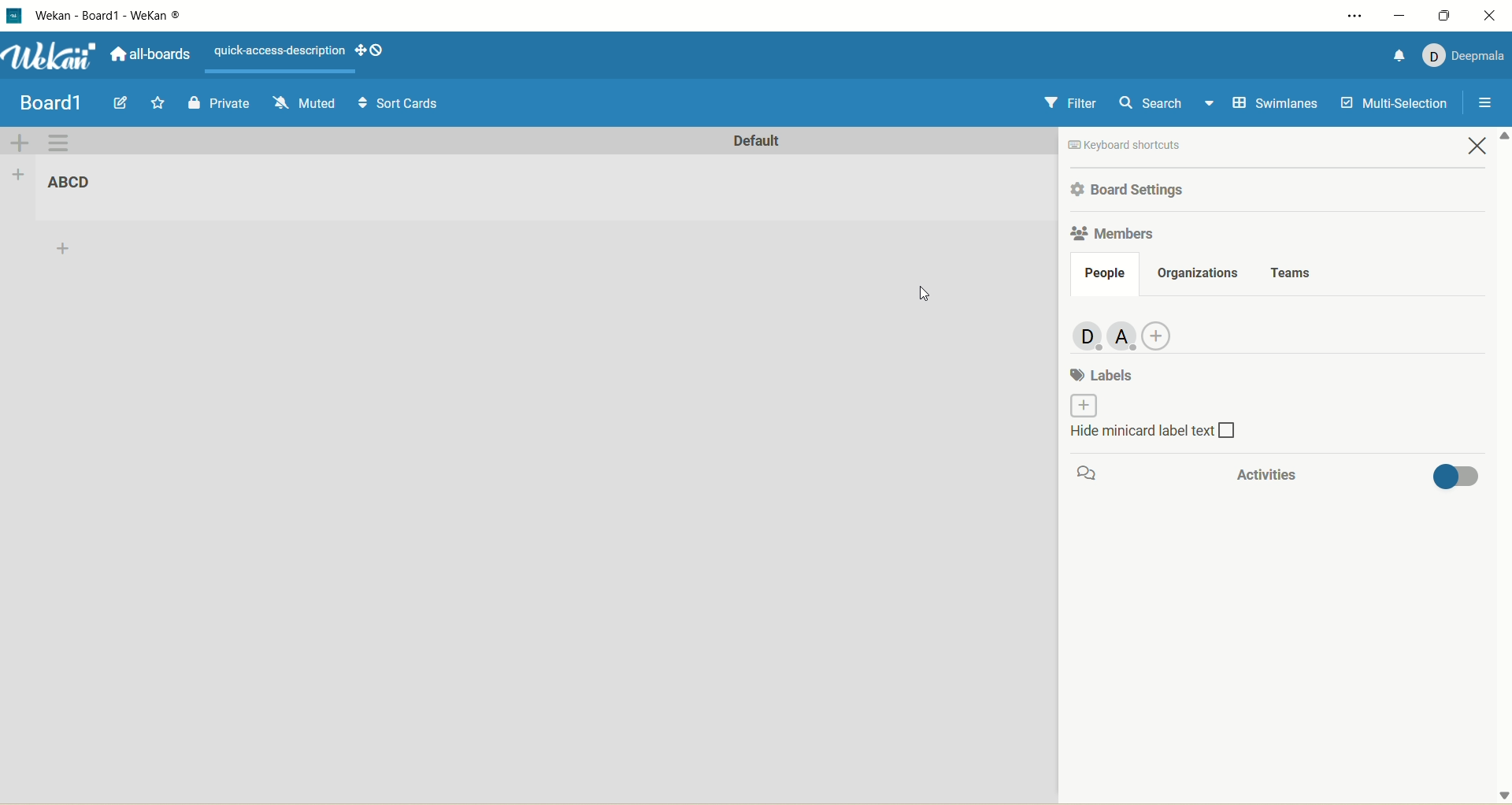 The width and height of the screenshot is (1512, 805). Describe the element at coordinates (1161, 145) in the screenshot. I see `text` at that location.